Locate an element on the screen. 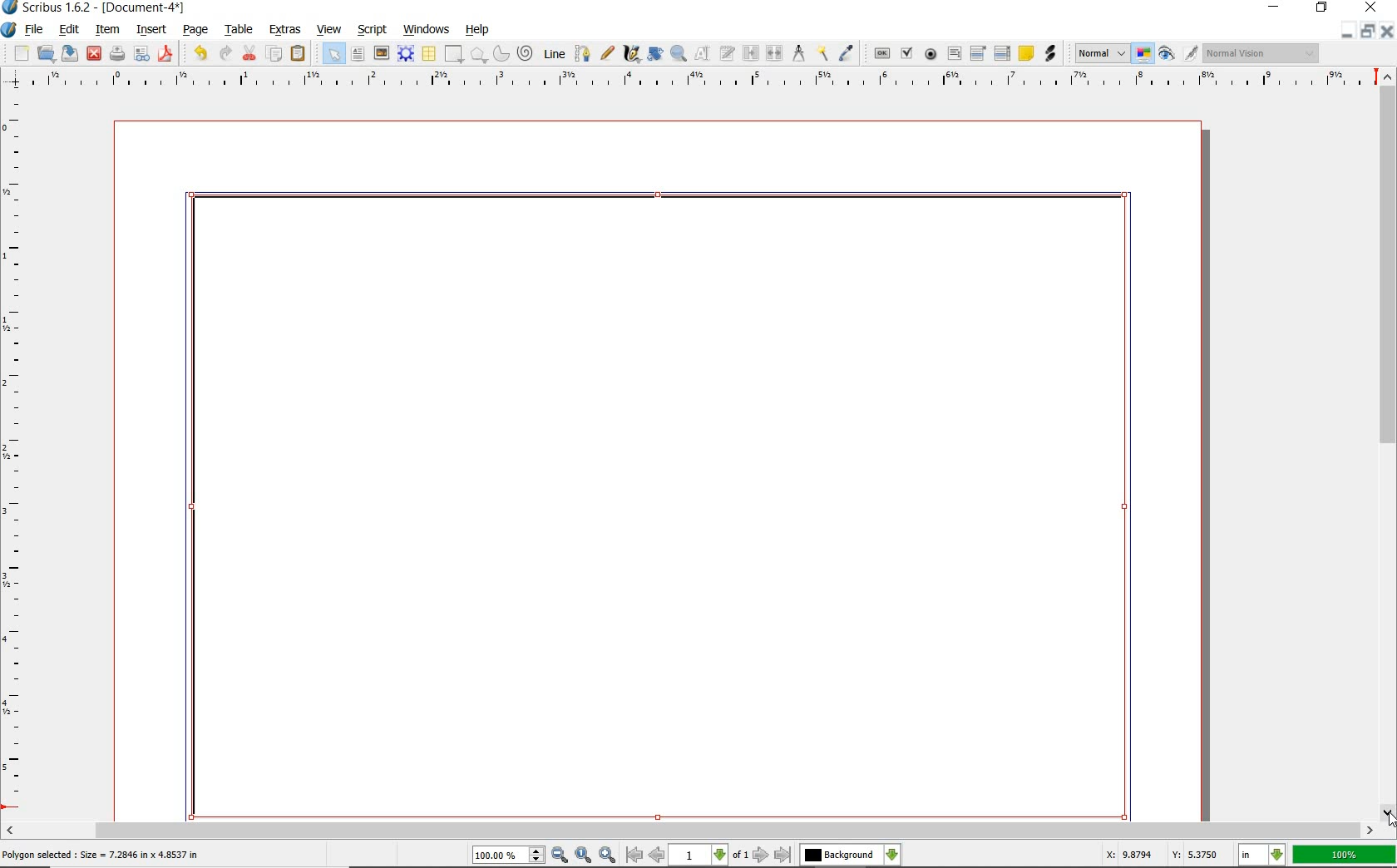 The height and width of the screenshot is (868, 1397). text annotation is located at coordinates (1026, 53).